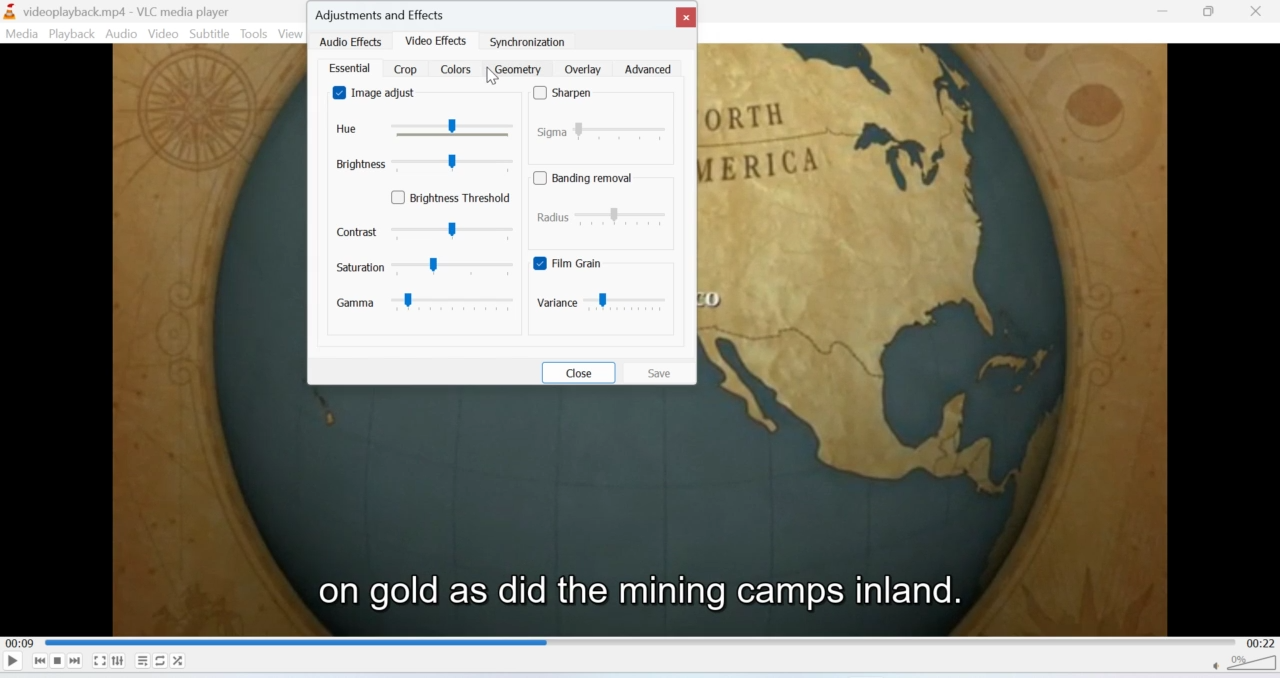 Image resolution: width=1280 pixels, height=678 pixels. Describe the element at coordinates (404, 69) in the screenshot. I see `crop` at that location.